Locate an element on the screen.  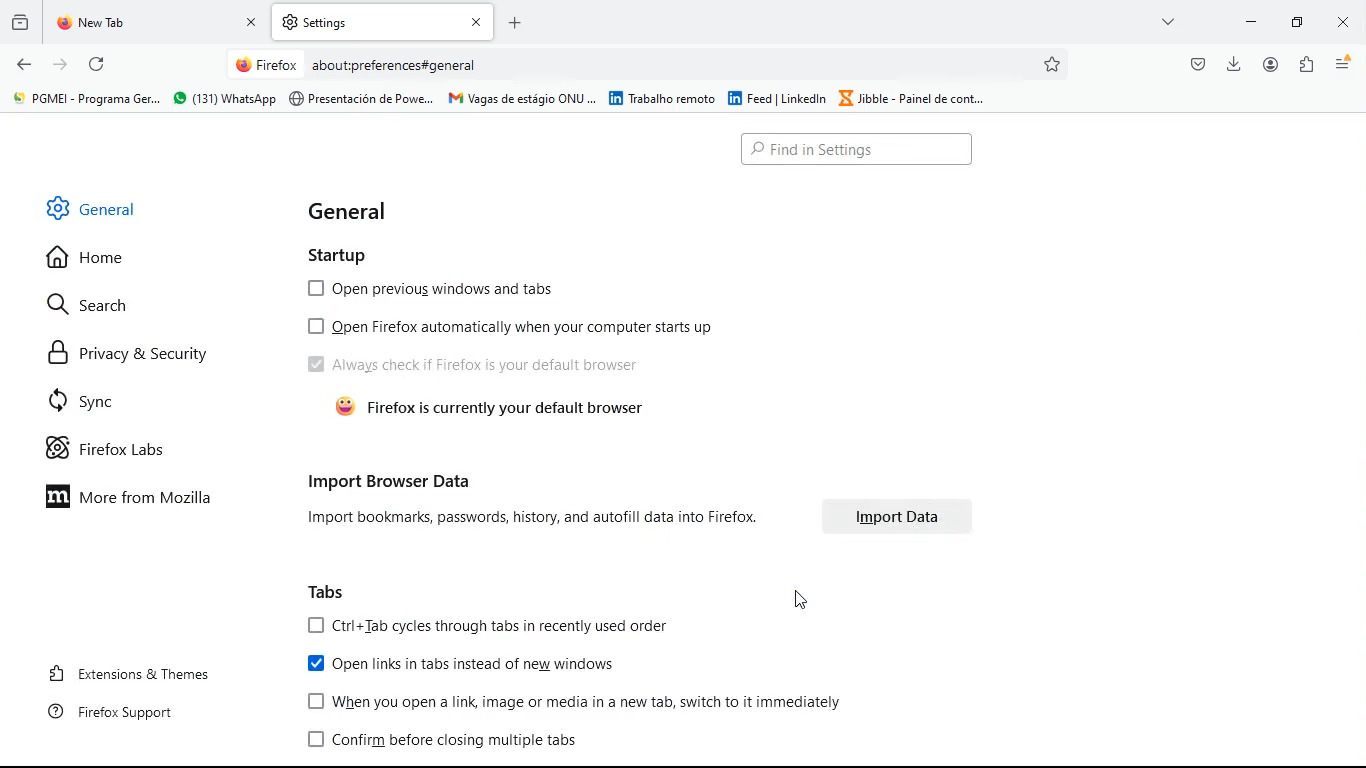
history is located at coordinates (19, 26).